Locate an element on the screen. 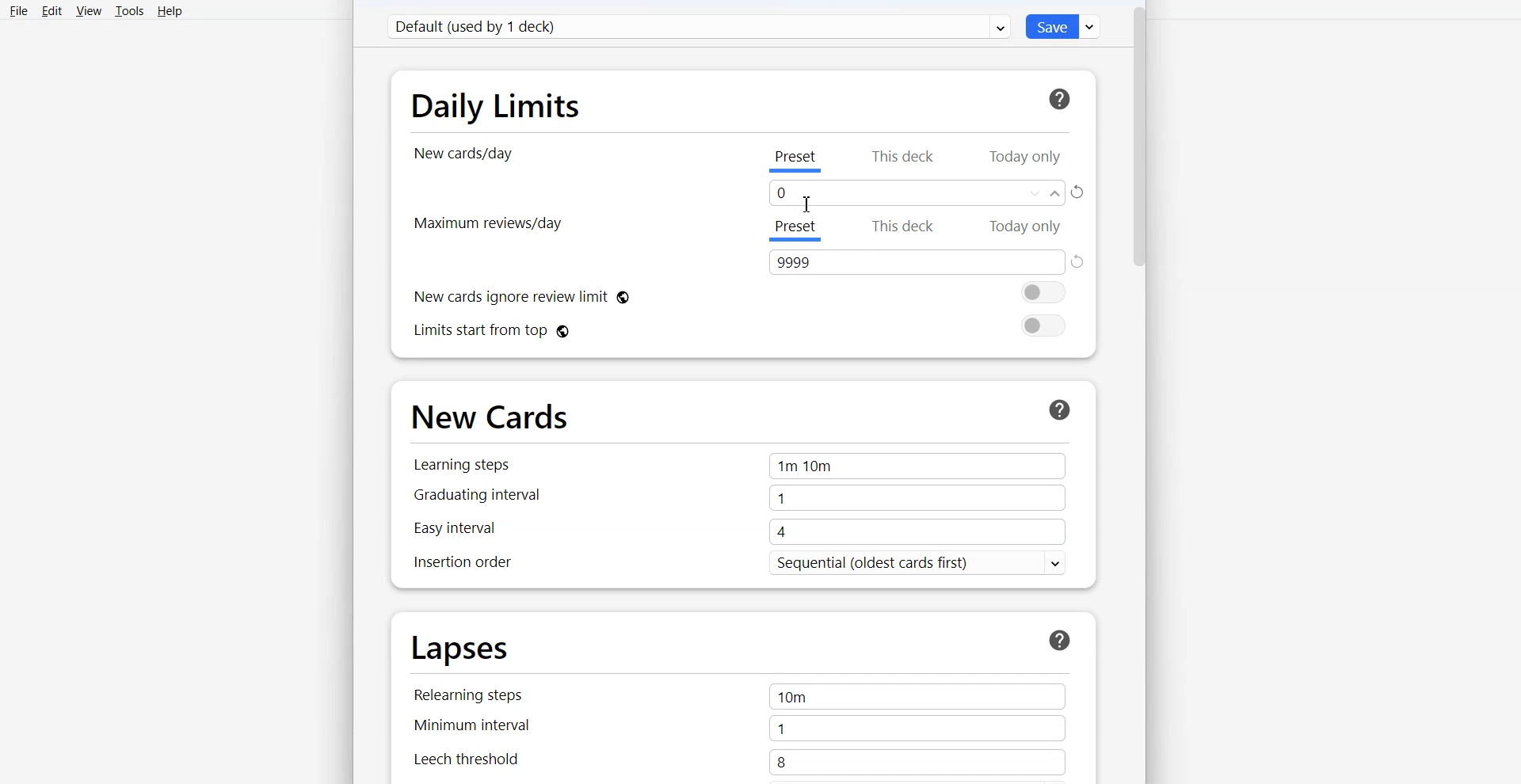  Limits start from top is located at coordinates (739, 326).